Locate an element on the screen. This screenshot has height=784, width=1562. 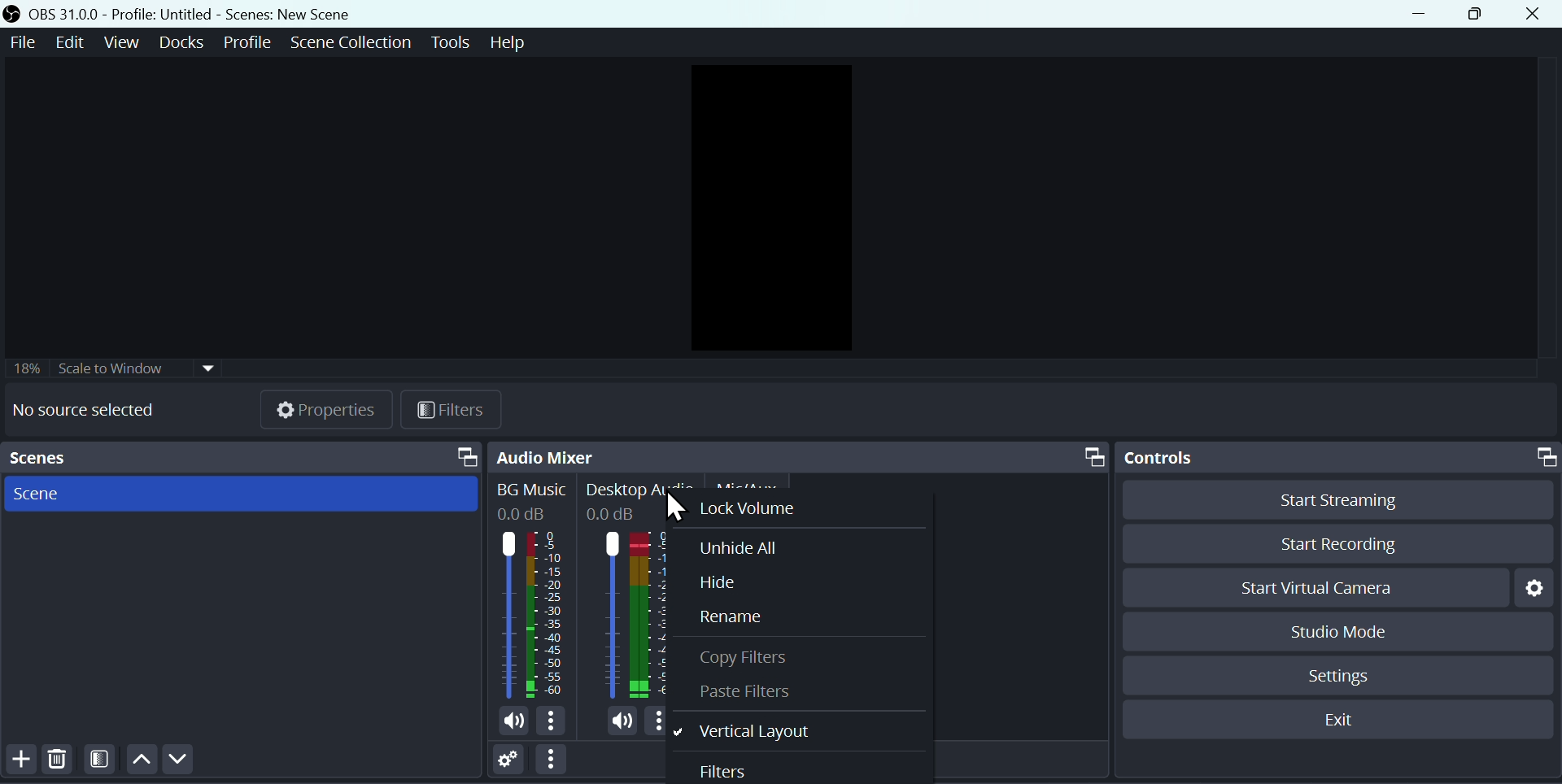
Lock volume is located at coordinates (738, 510).